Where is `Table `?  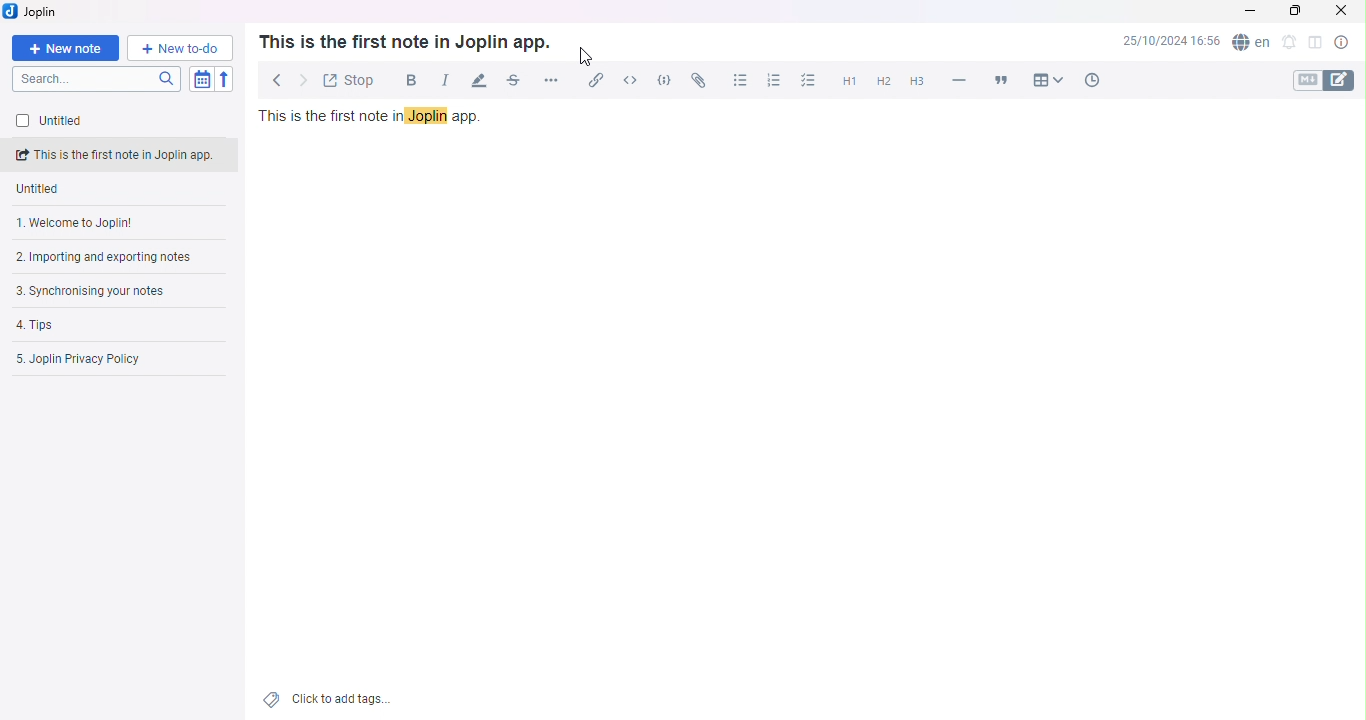 Table  is located at coordinates (1048, 78).